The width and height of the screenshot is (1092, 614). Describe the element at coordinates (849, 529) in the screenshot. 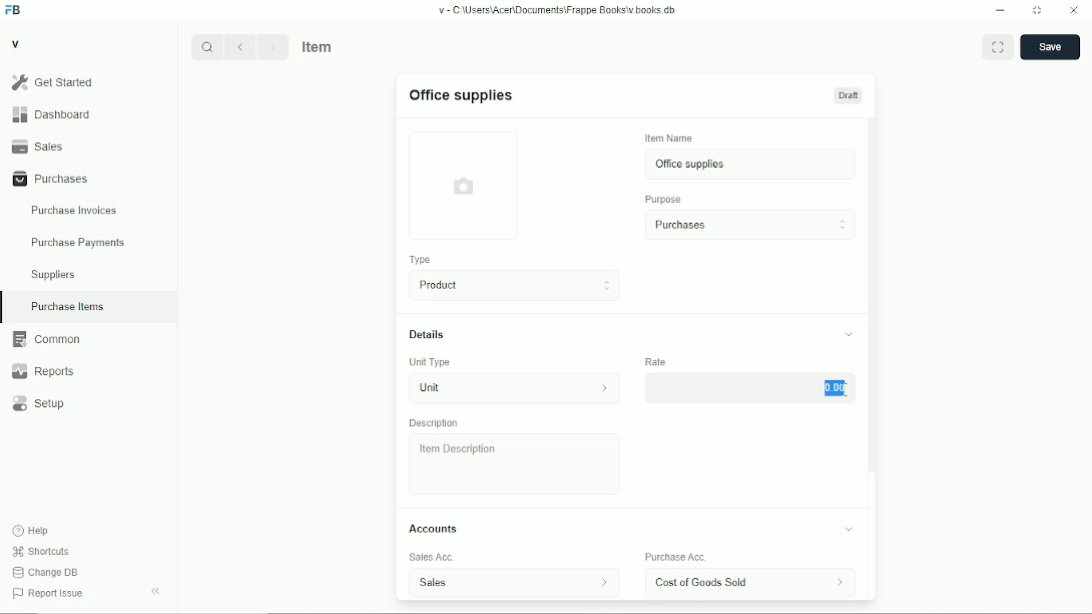

I see `toggle expand/collapse` at that location.